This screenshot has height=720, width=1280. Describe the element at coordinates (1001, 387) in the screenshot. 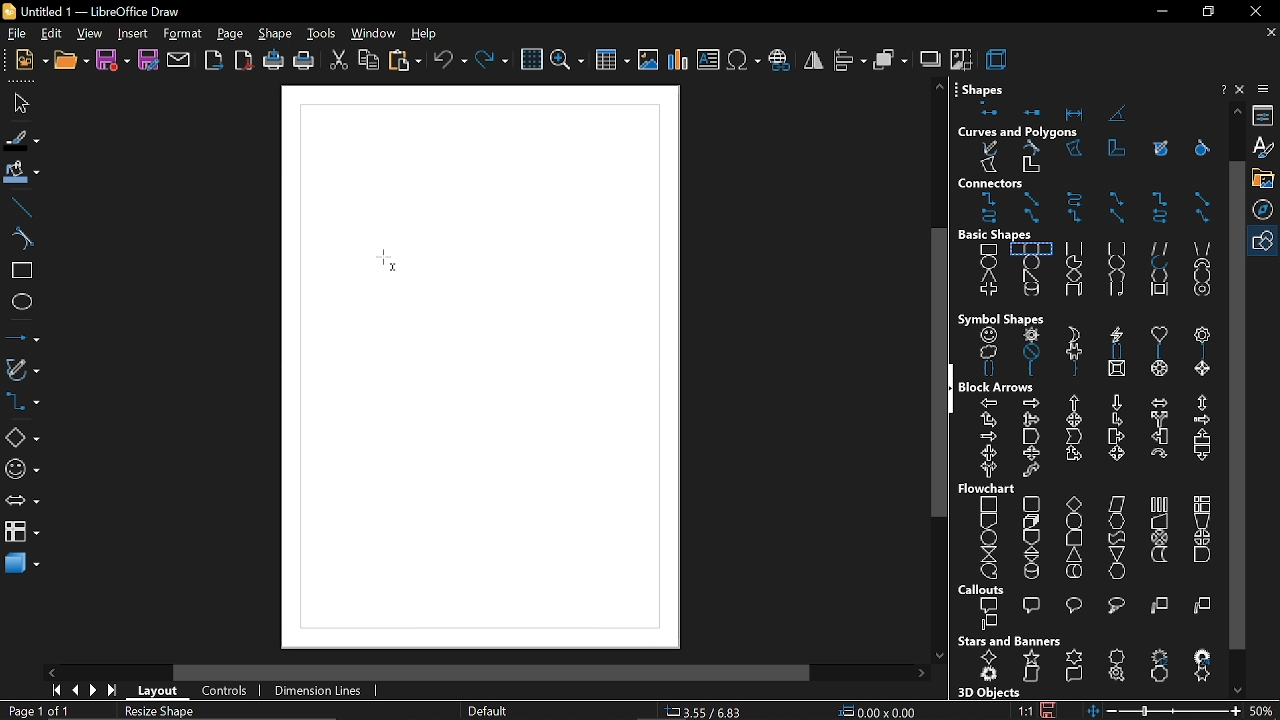

I see `block arrows` at that location.